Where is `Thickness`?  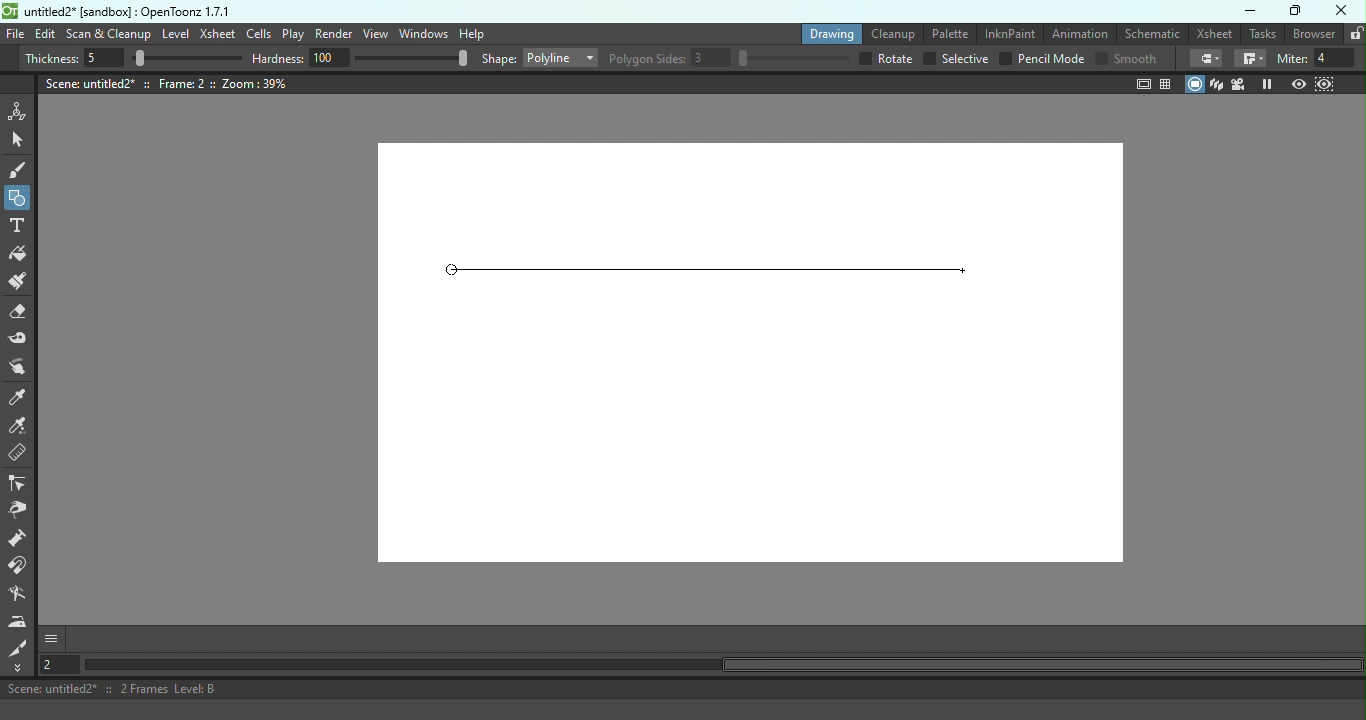 Thickness is located at coordinates (133, 58).